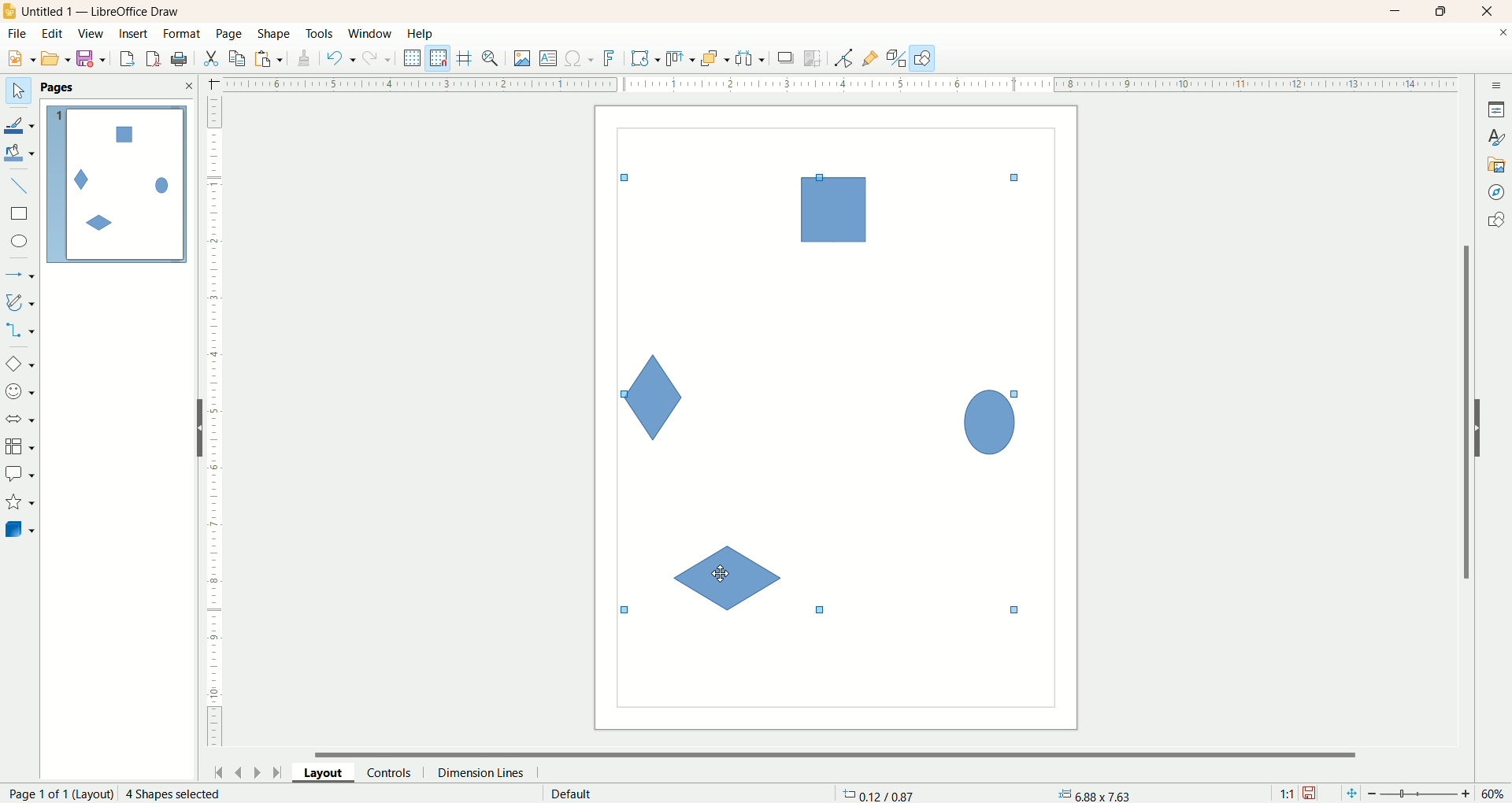  Describe the element at coordinates (612, 59) in the screenshot. I see `fontwork text` at that location.